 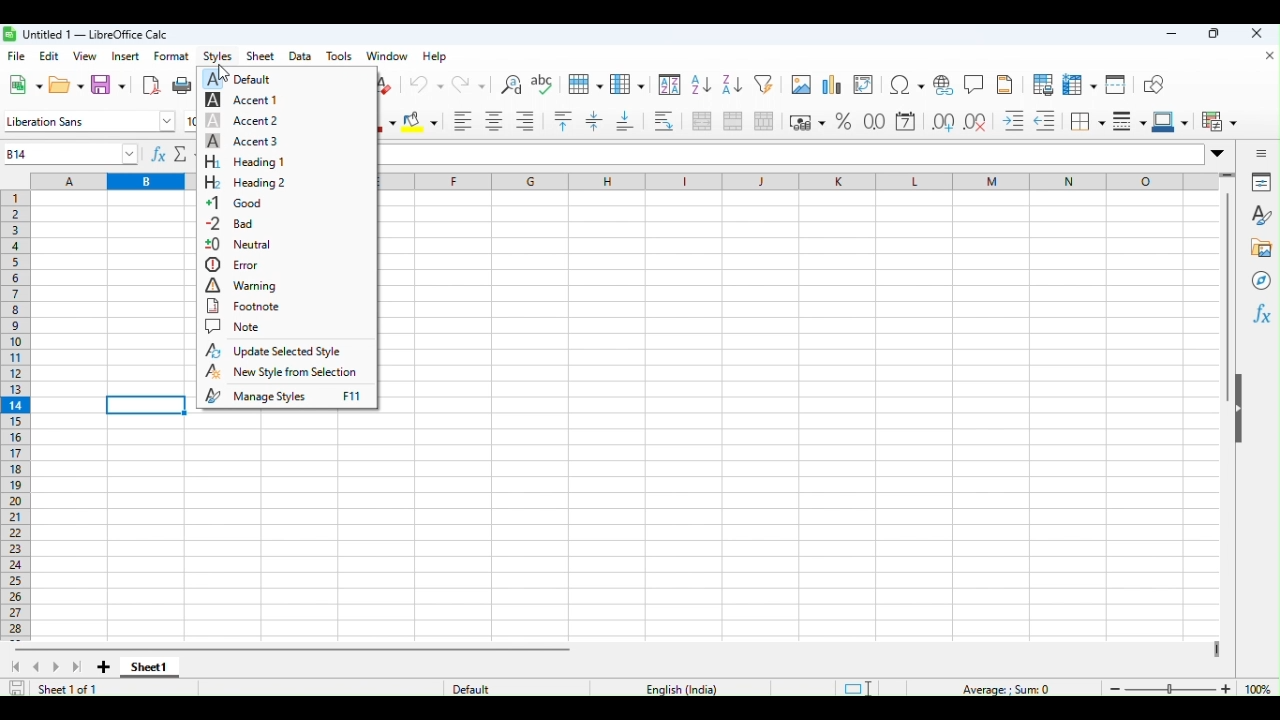 What do you see at coordinates (866, 85) in the screenshot?
I see `Insert pivot table` at bounding box center [866, 85].